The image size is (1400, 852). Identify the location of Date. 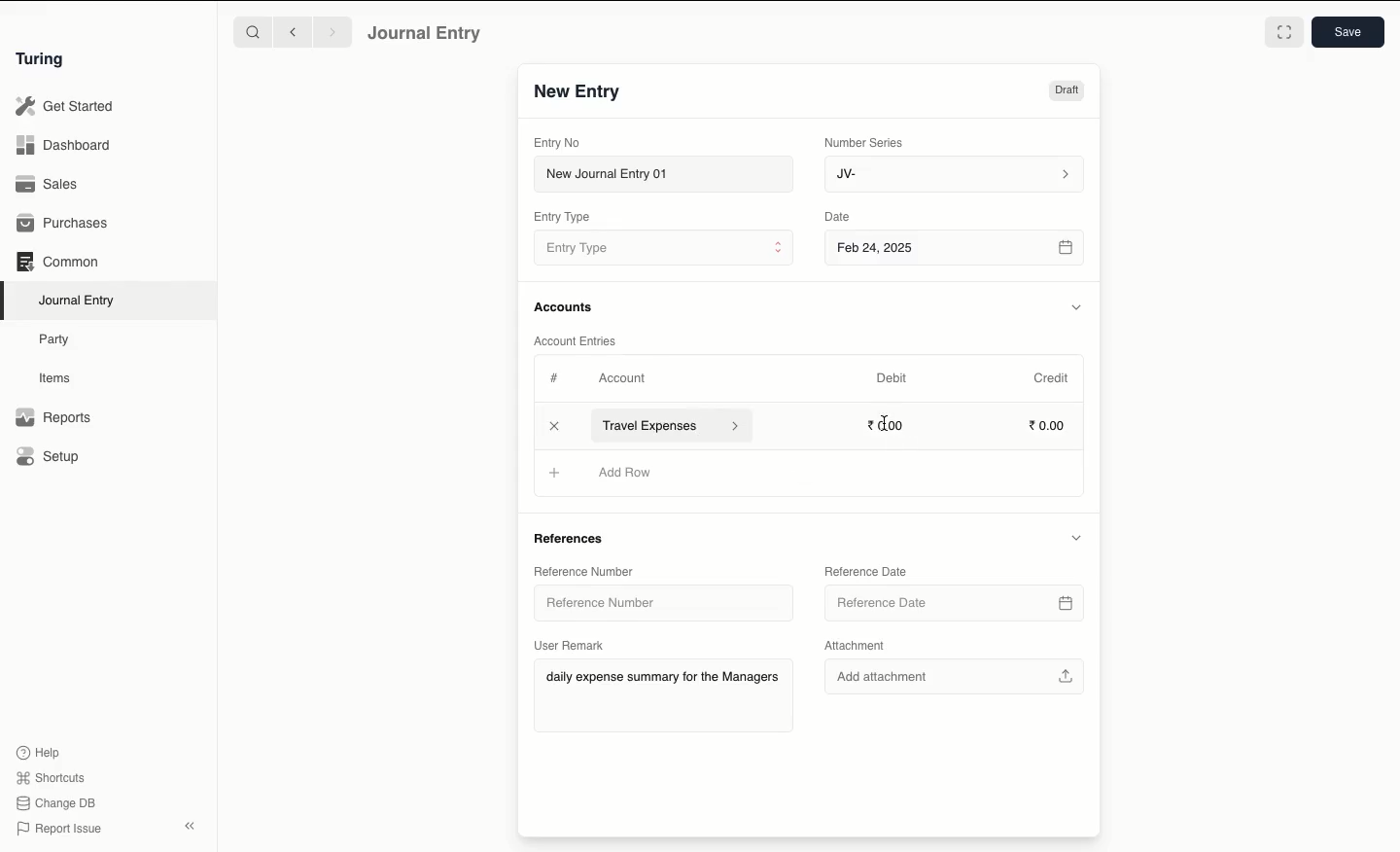
(840, 216).